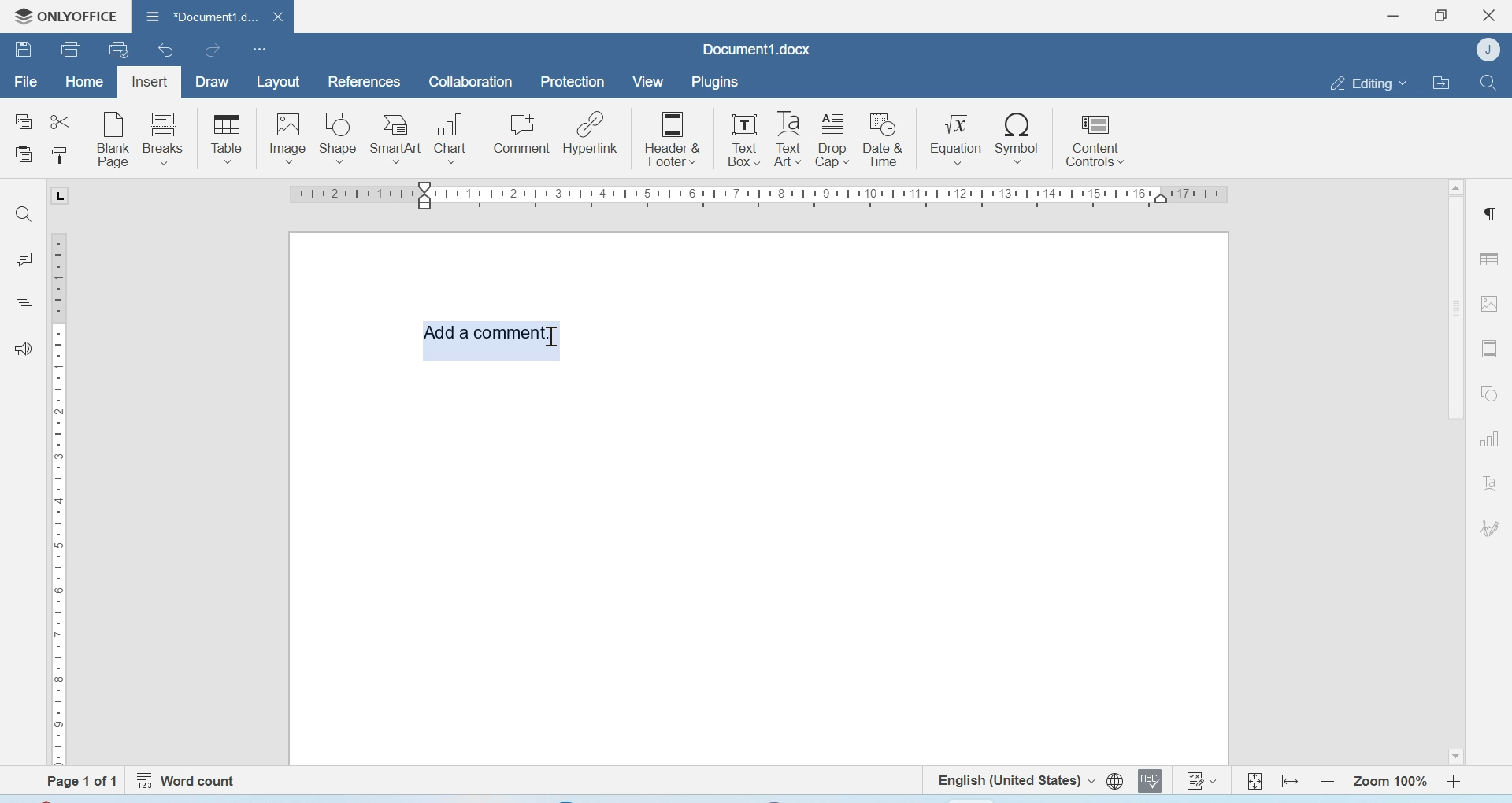  I want to click on Onlyoffice, so click(61, 17).